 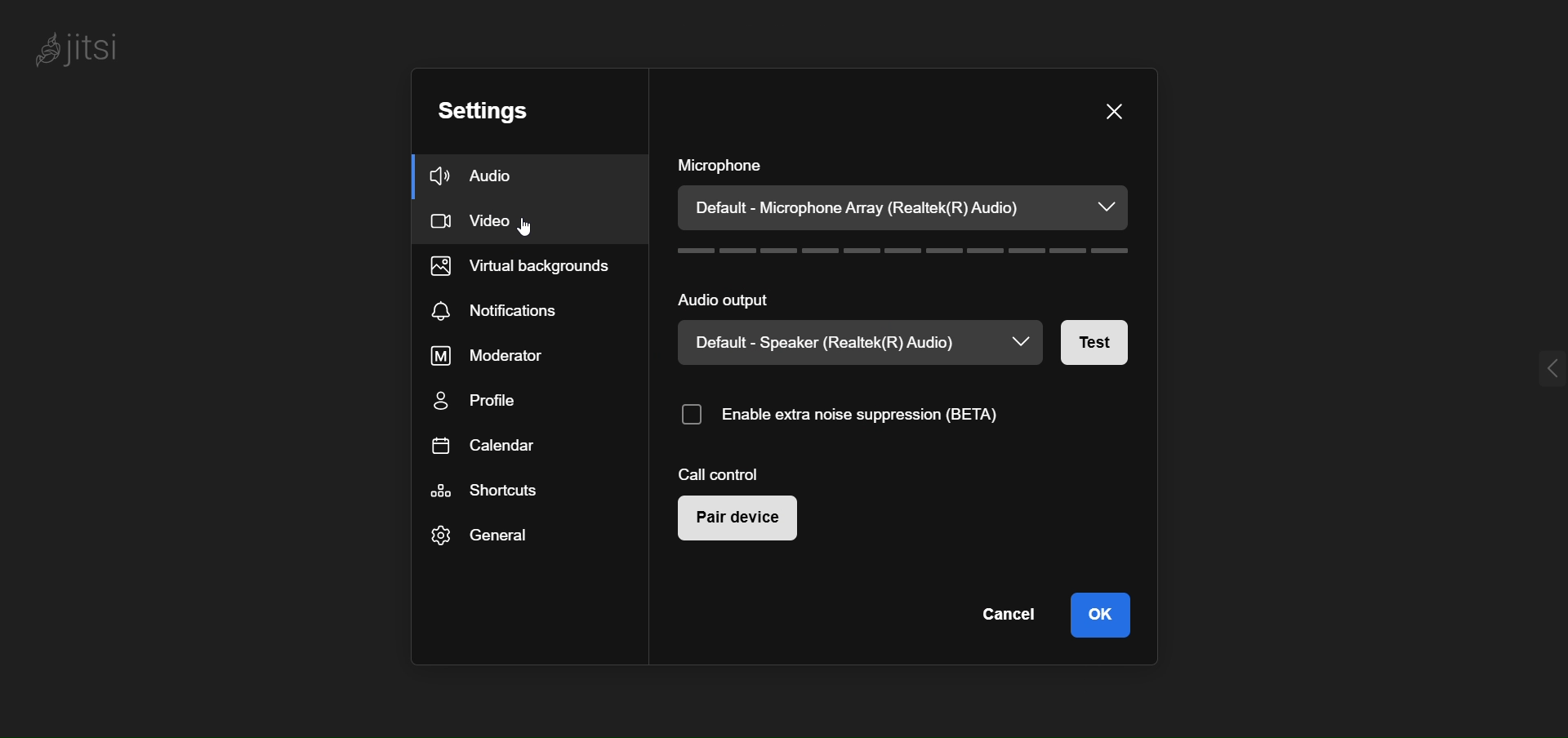 I want to click on speaker type, so click(x=835, y=345).